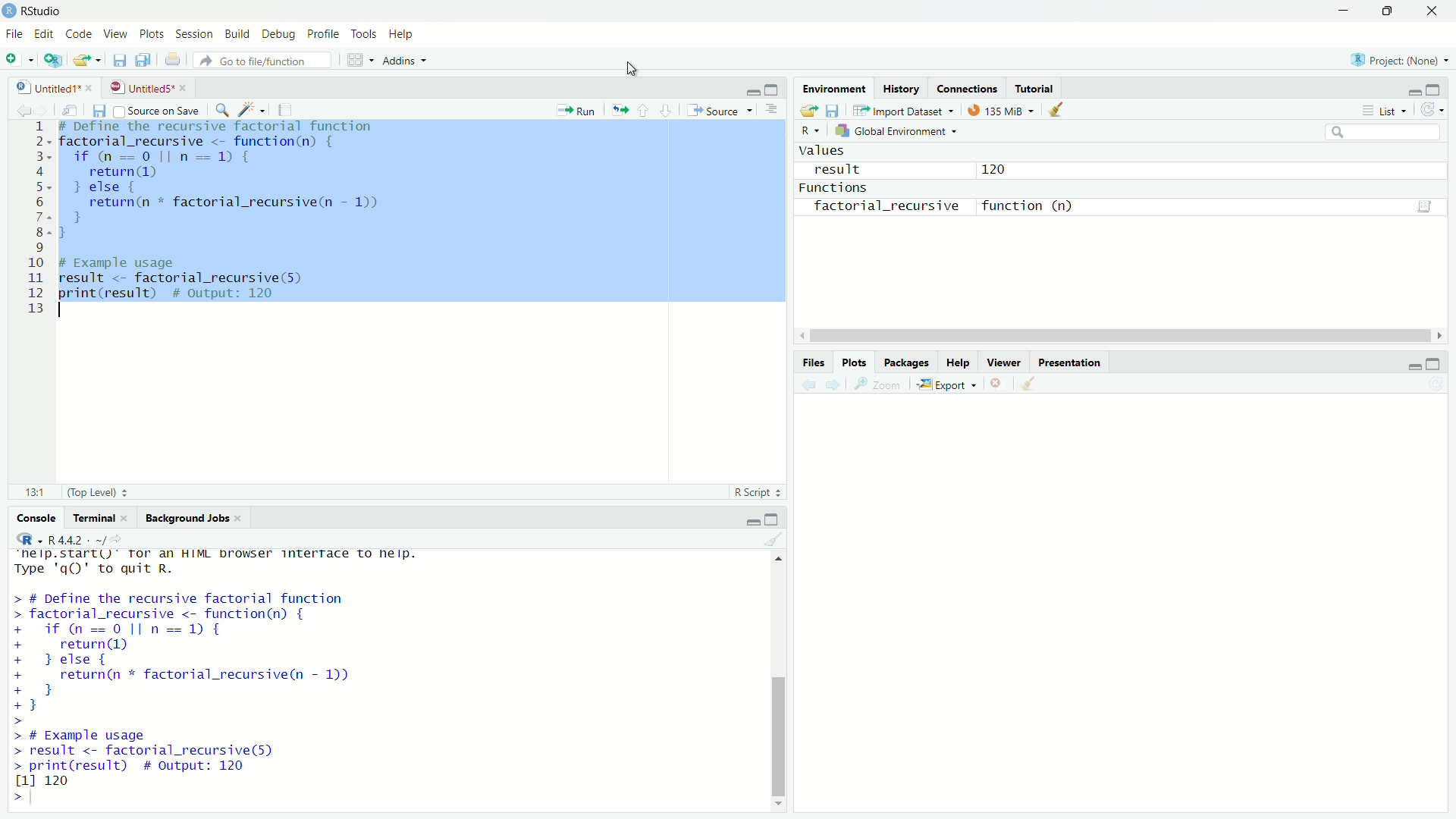  Describe the element at coordinates (836, 110) in the screenshot. I see `Save workspace as` at that location.